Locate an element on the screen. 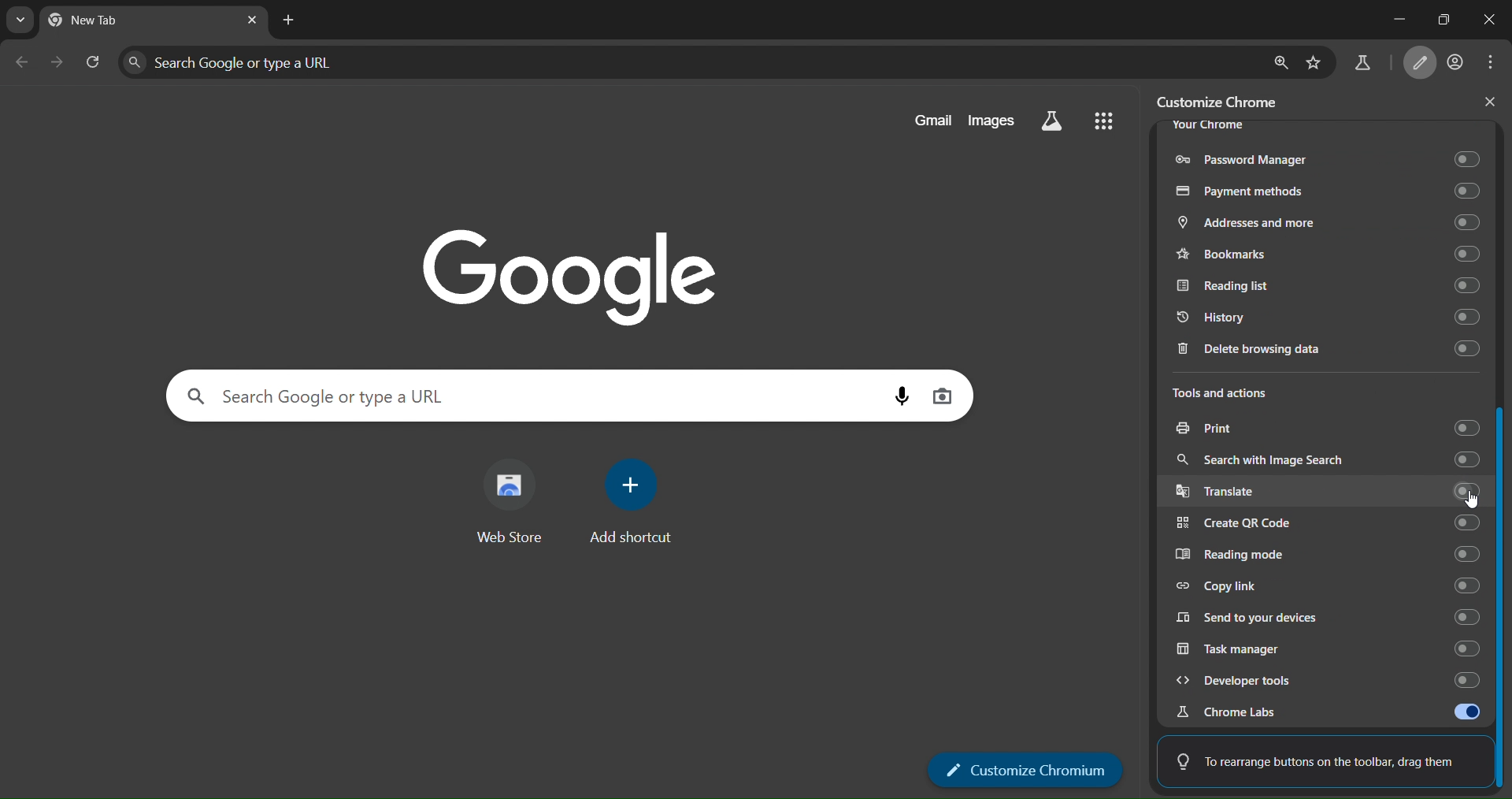 This screenshot has height=799, width=1512. close is located at coordinates (1487, 23).